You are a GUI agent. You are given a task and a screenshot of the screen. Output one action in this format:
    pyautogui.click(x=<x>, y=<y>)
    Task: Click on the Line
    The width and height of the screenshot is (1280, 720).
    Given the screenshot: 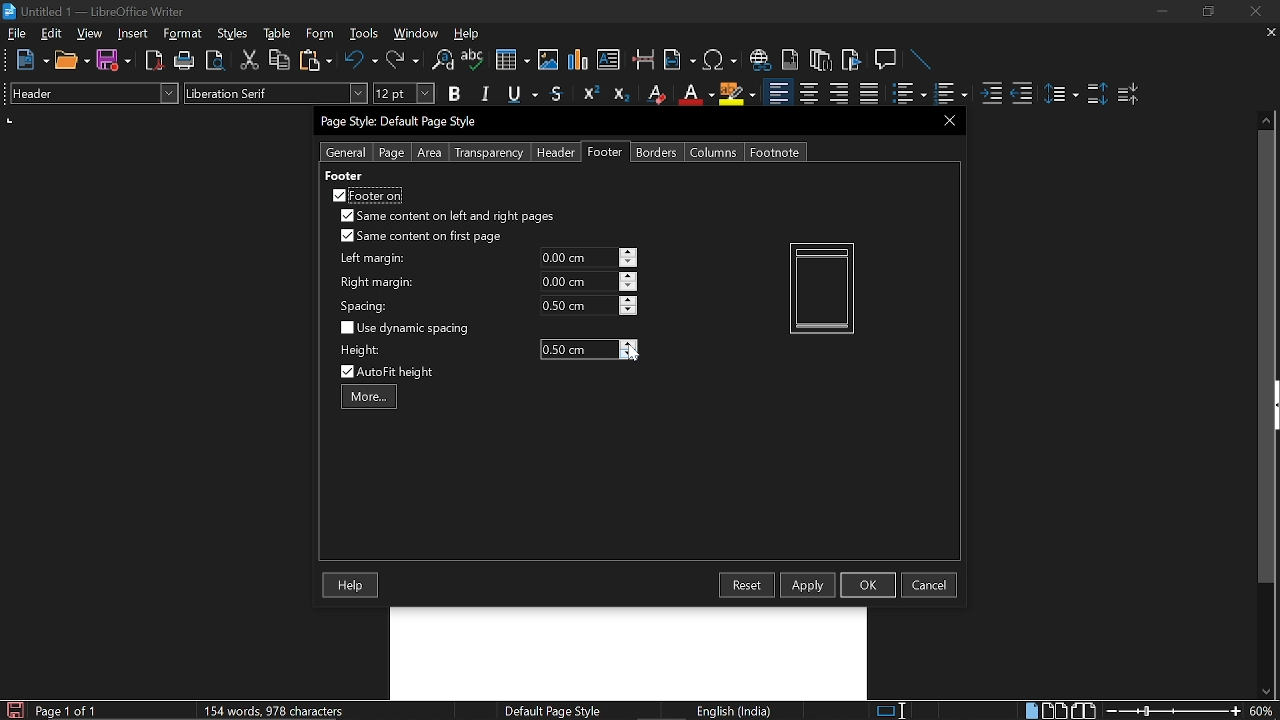 What is the action you would take?
    pyautogui.click(x=922, y=61)
    